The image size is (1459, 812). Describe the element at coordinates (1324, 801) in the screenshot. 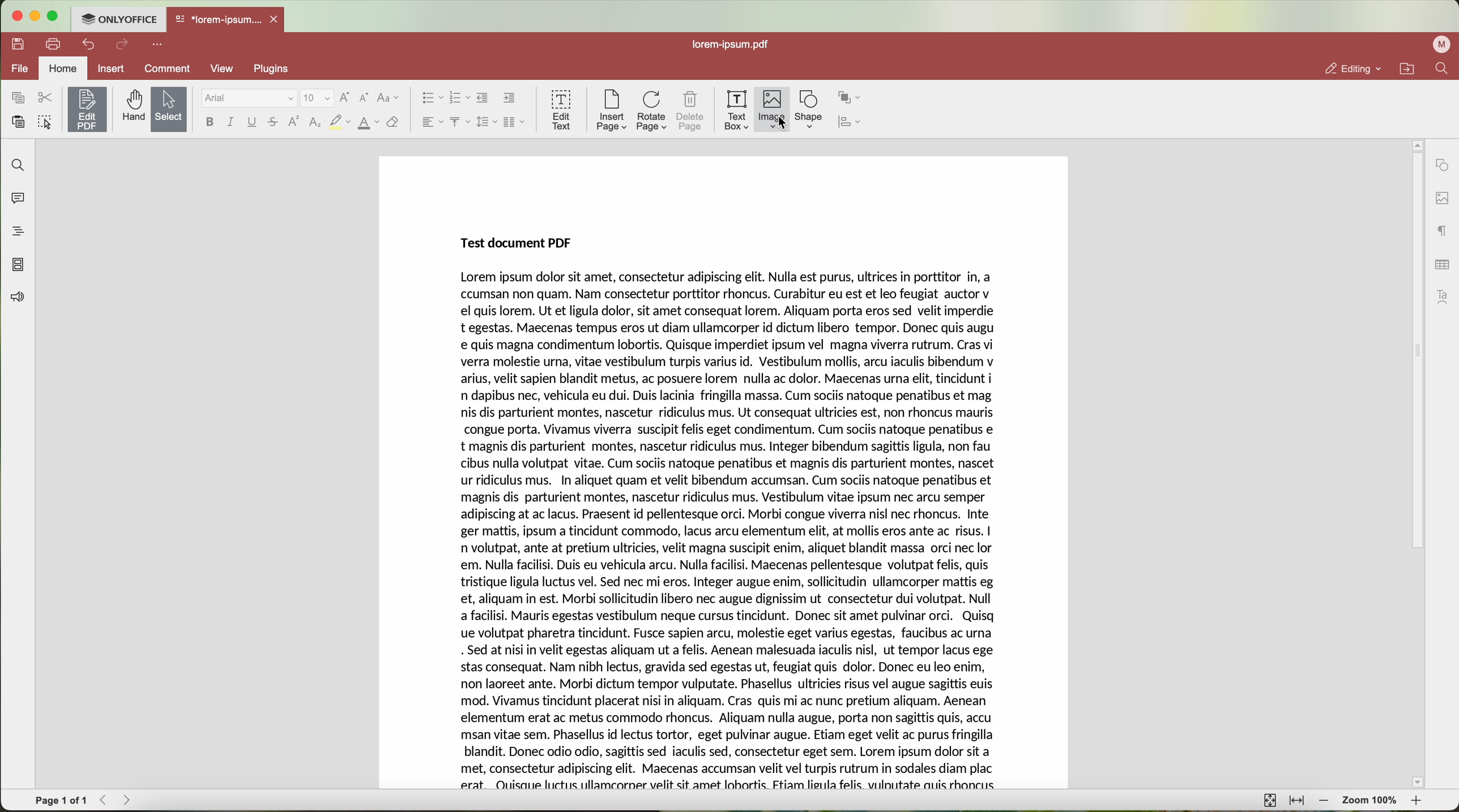

I see `zoom out` at that location.